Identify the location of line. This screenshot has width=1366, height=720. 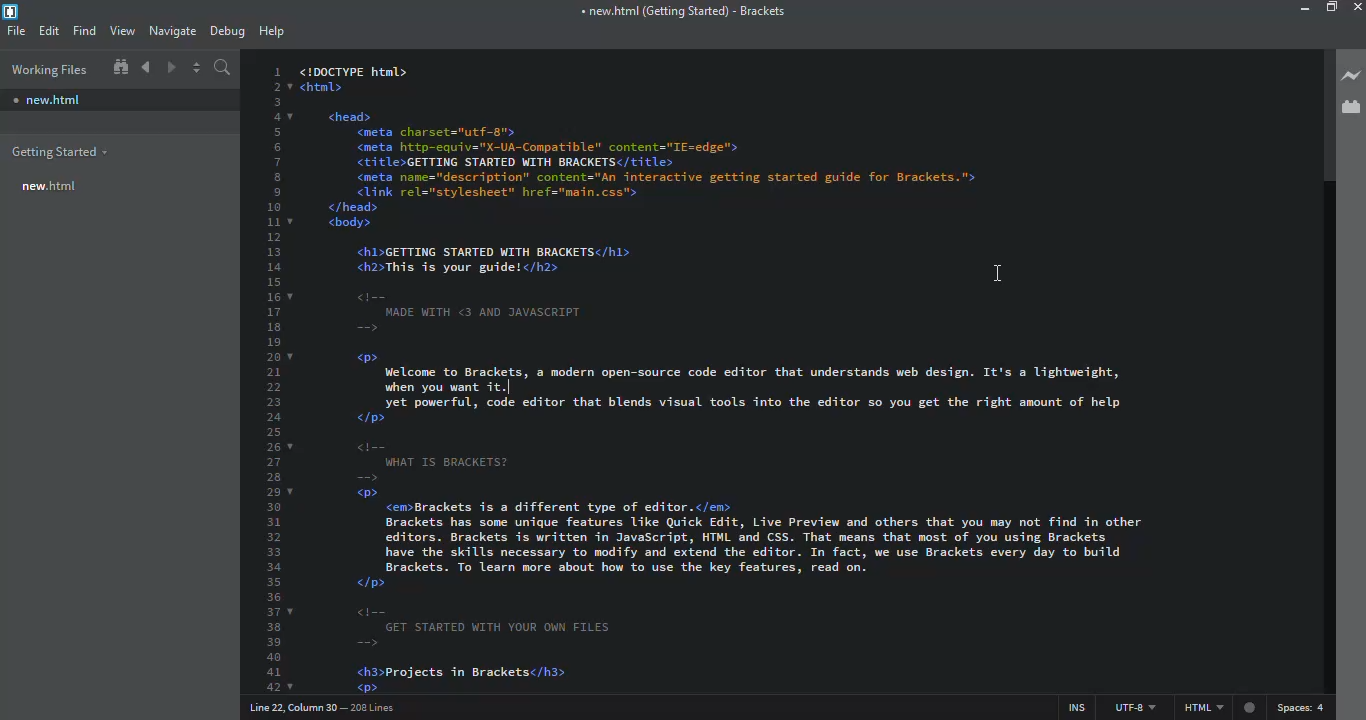
(320, 707).